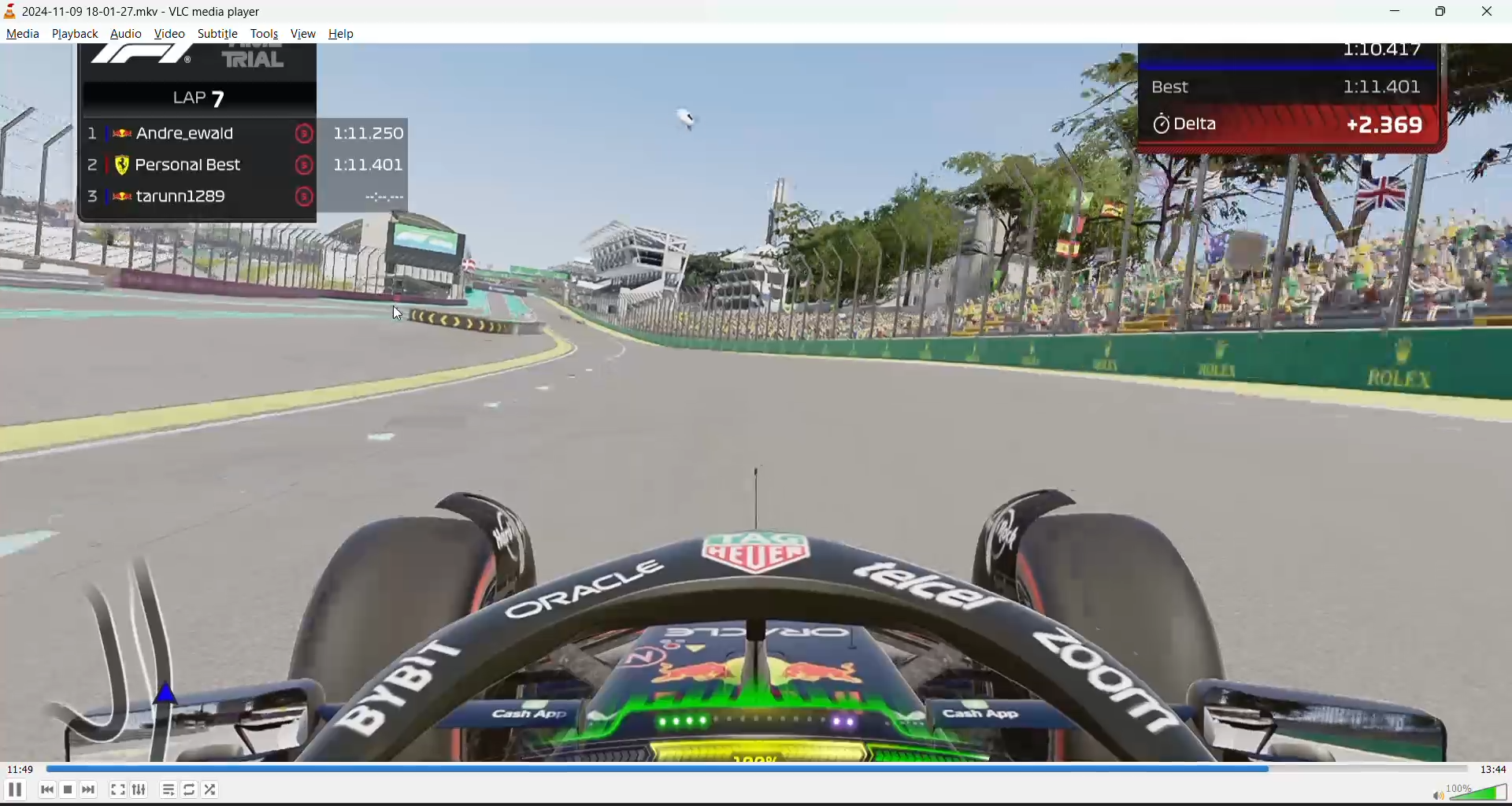 Image resolution: width=1512 pixels, height=806 pixels. What do you see at coordinates (191, 788) in the screenshot?
I see `loop` at bounding box center [191, 788].